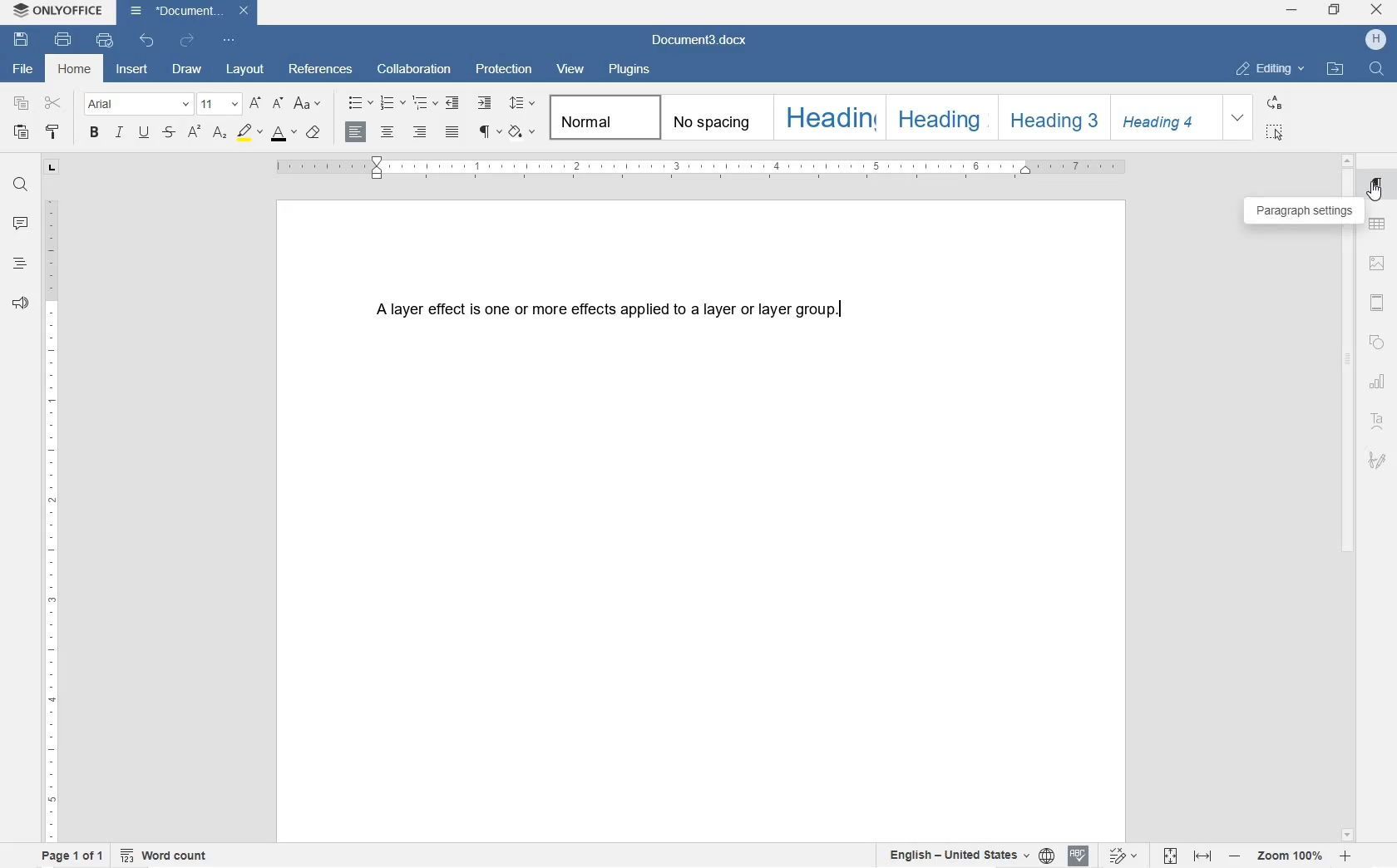  What do you see at coordinates (250, 133) in the screenshot?
I see `HIGHLIGHT COLOR` at bounding box center [250, 133].